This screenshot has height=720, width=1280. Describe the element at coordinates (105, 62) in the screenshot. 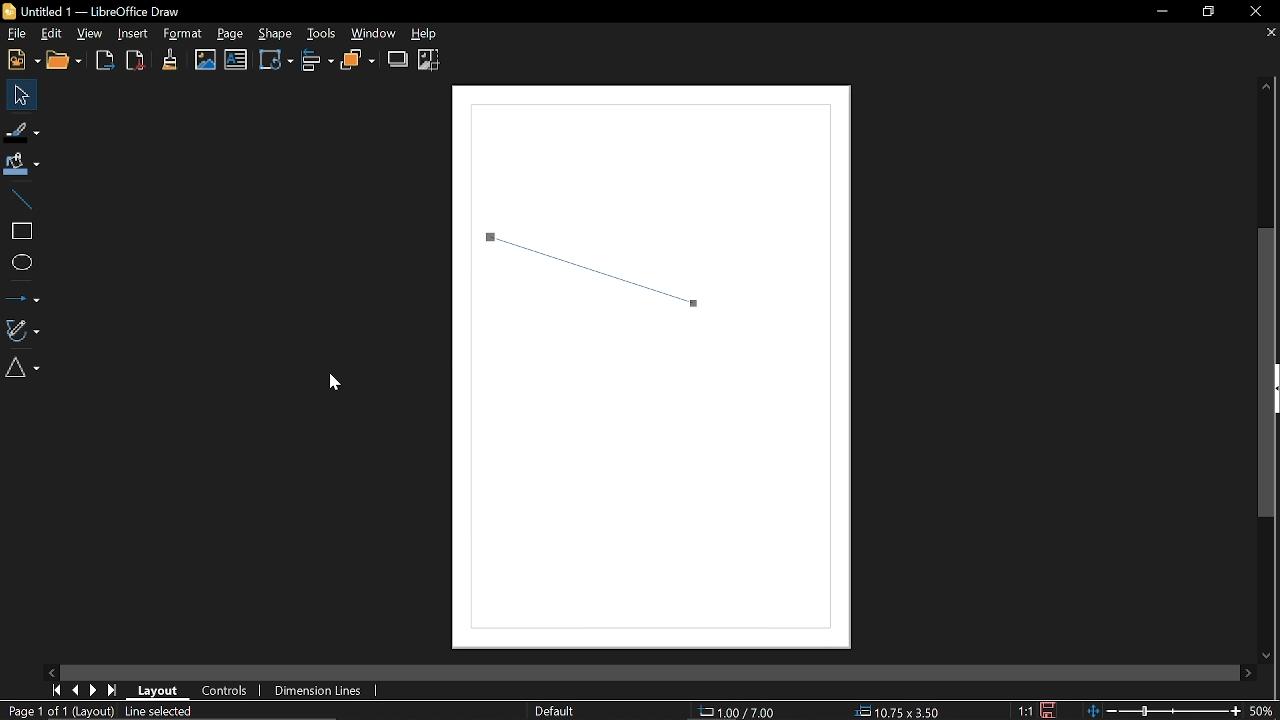

I see `Export` at that location.